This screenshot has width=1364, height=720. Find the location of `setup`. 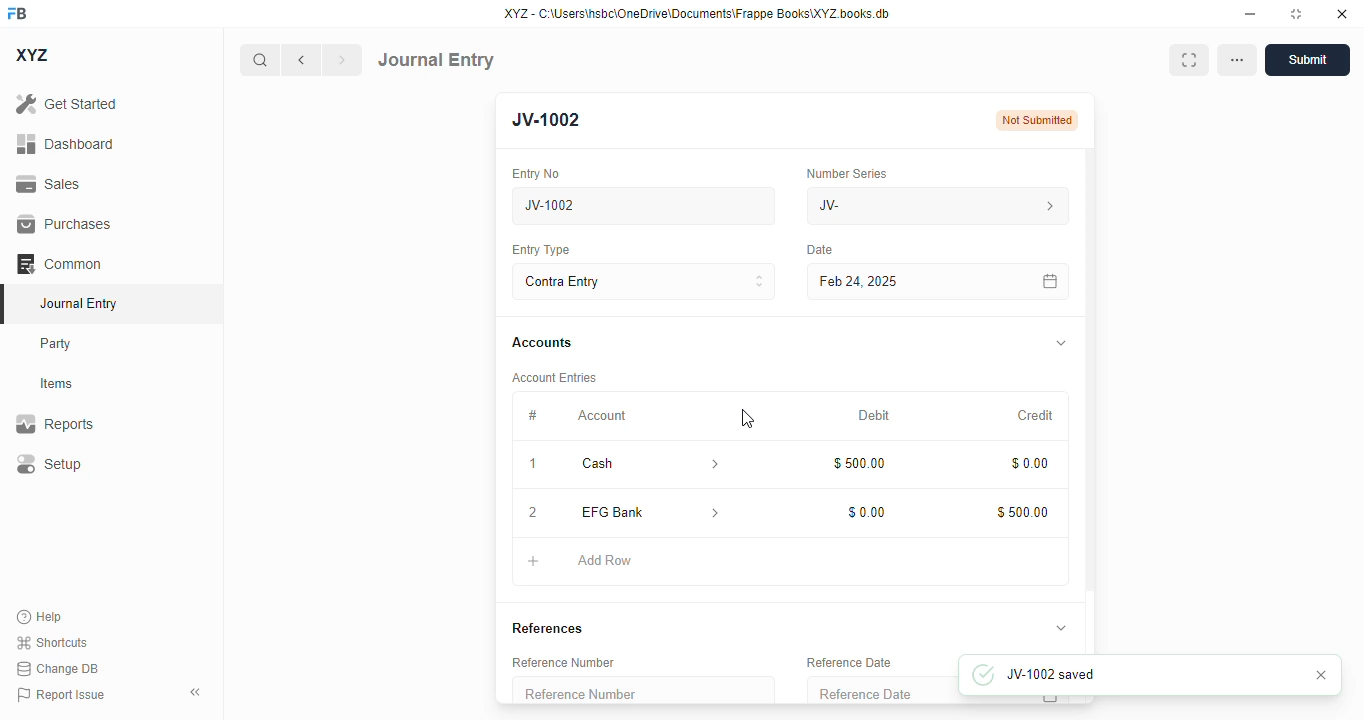

setup is located at coordinates (49, 463).